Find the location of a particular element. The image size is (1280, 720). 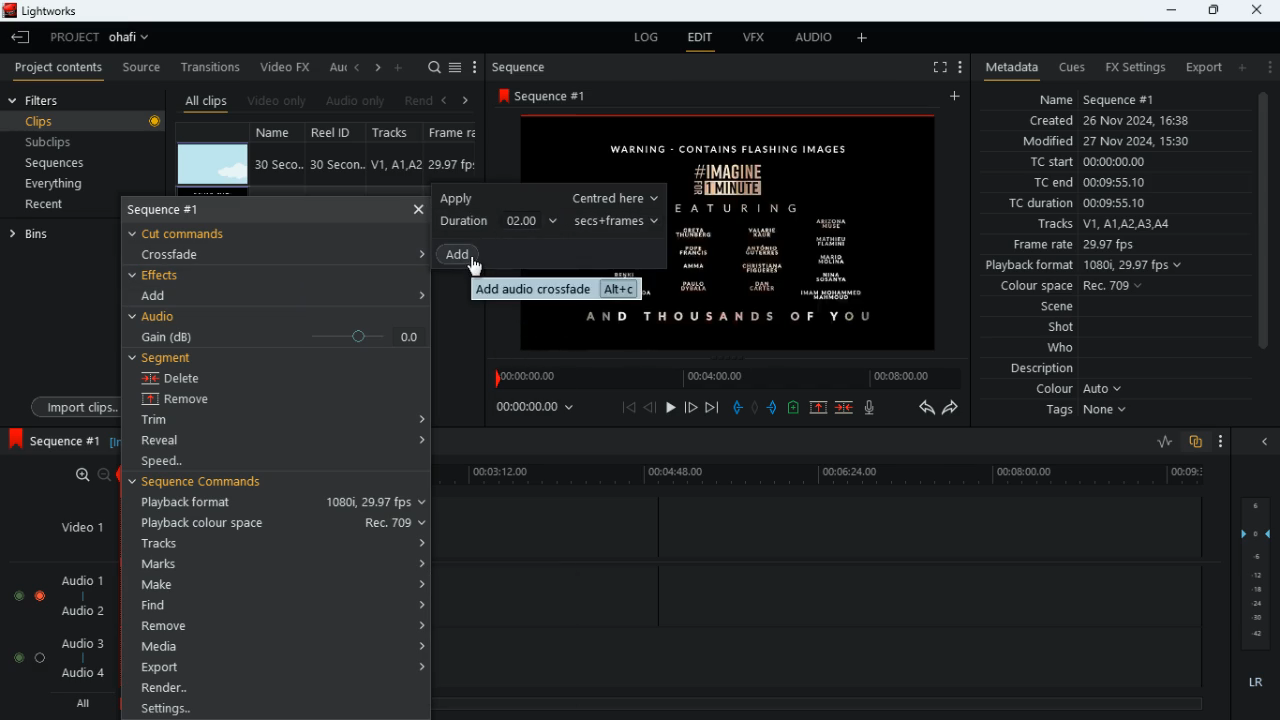

filters is located at coordinates (38, 100).